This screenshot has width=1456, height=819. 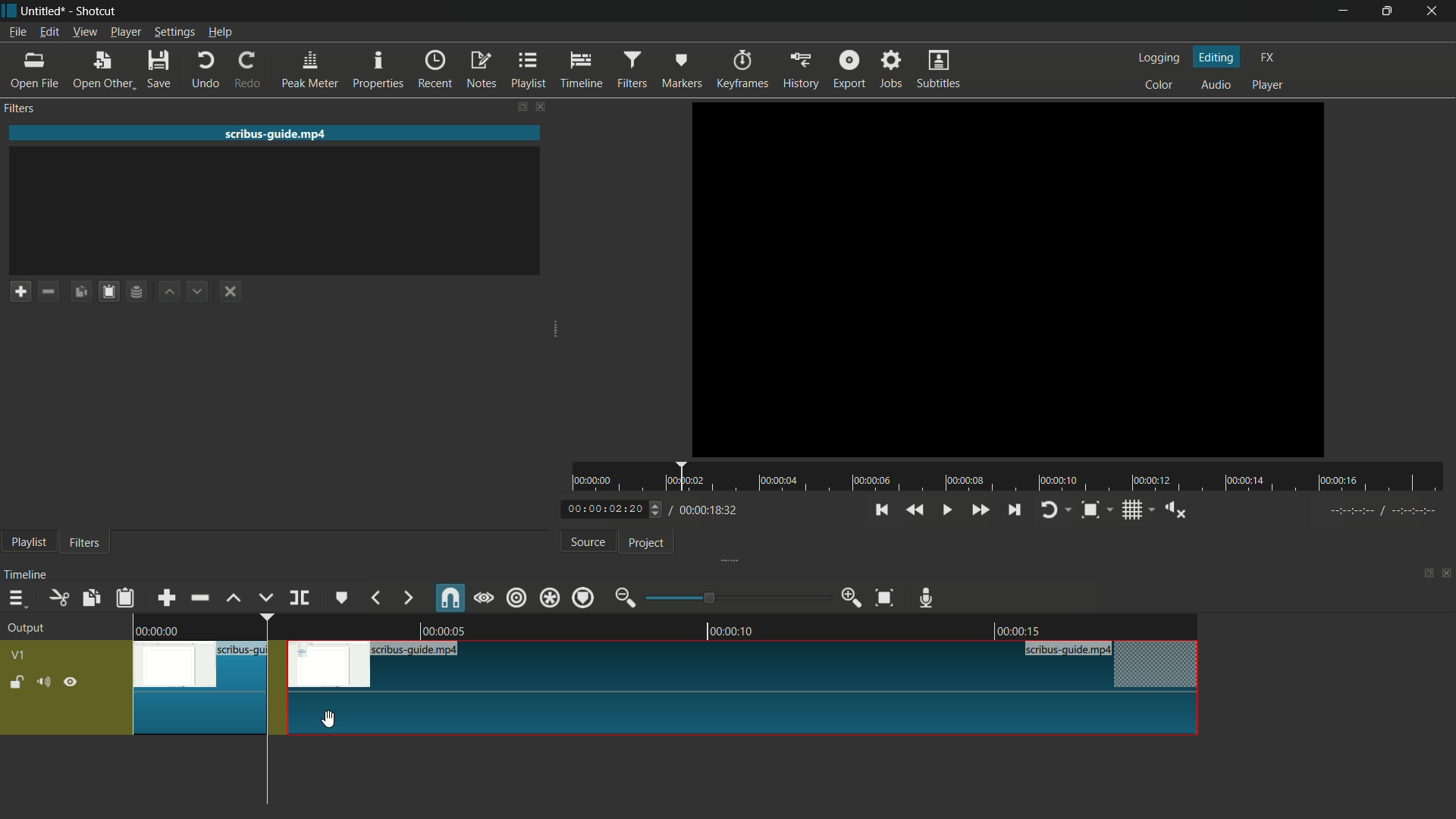 What do you see at coordinates (199, 598) in the screenshot?
I see `ripple delete` at bounding box center [199, 598].